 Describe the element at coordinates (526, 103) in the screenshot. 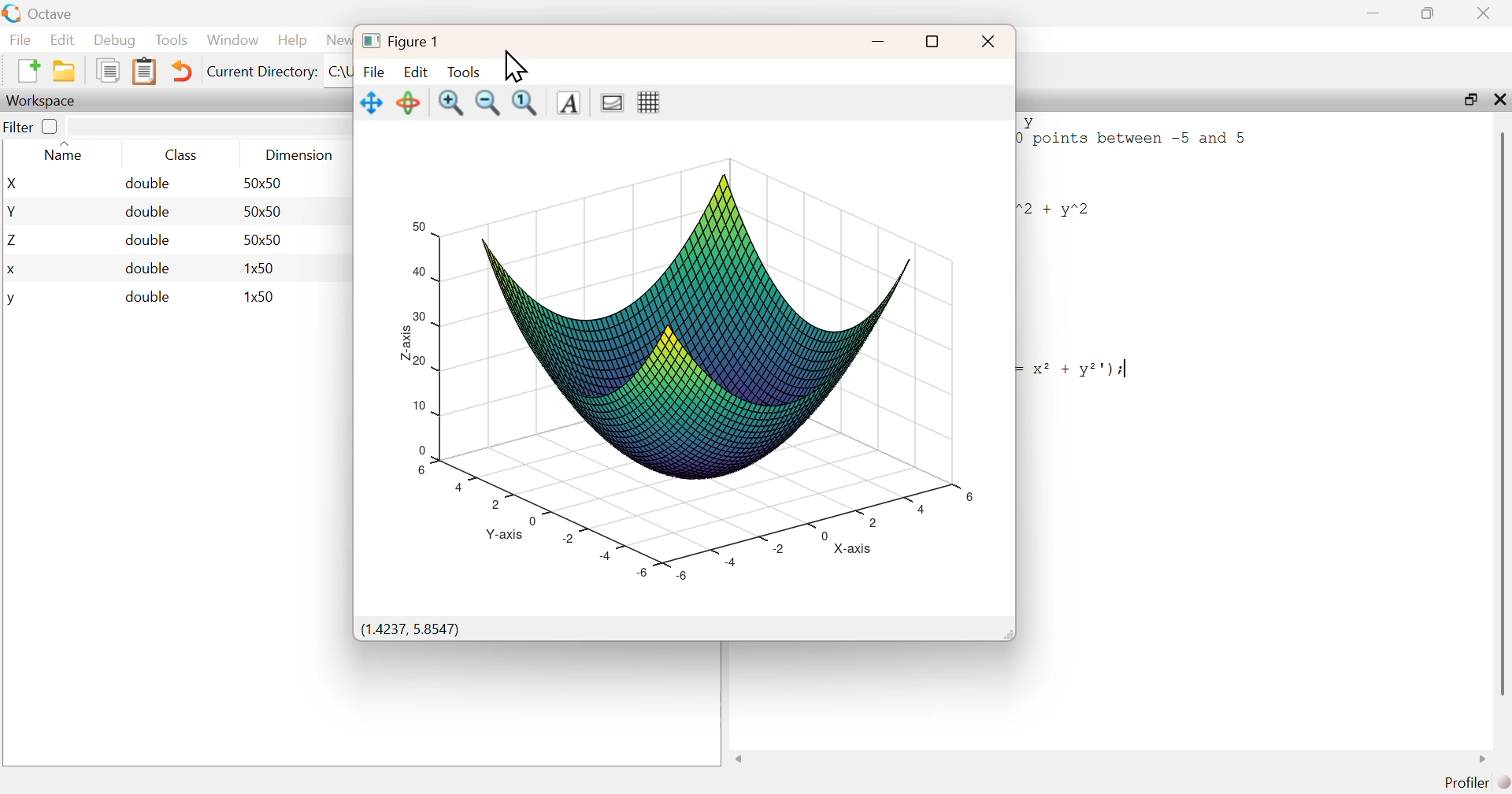

I see `Fit to screen` at that location.